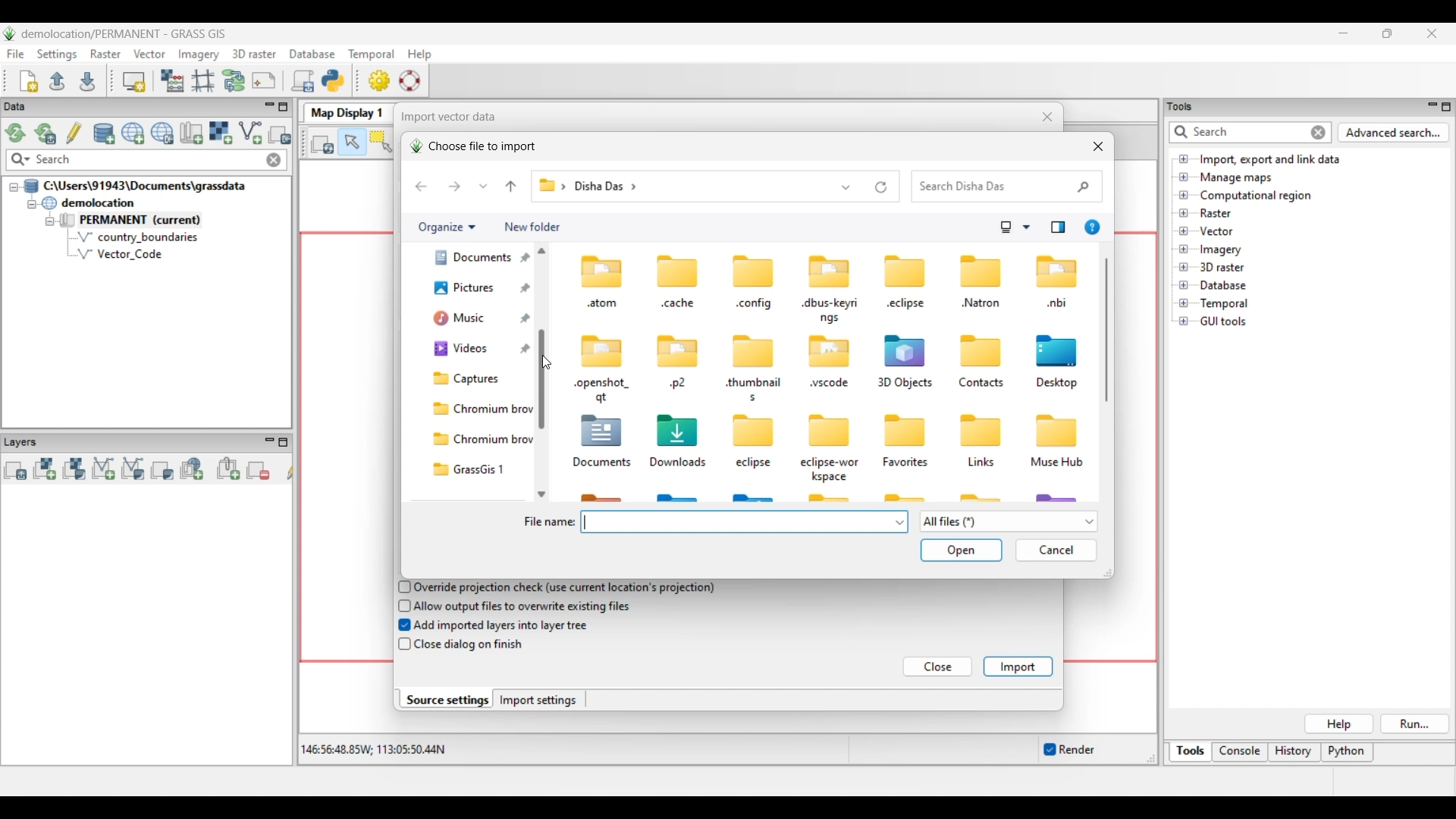 Image resolution: width=1456 pixels, height=819 pixels. What do you see at coordinates (903, 428) in the screenshot?
I see `icon` at bounding box center [903, 428].